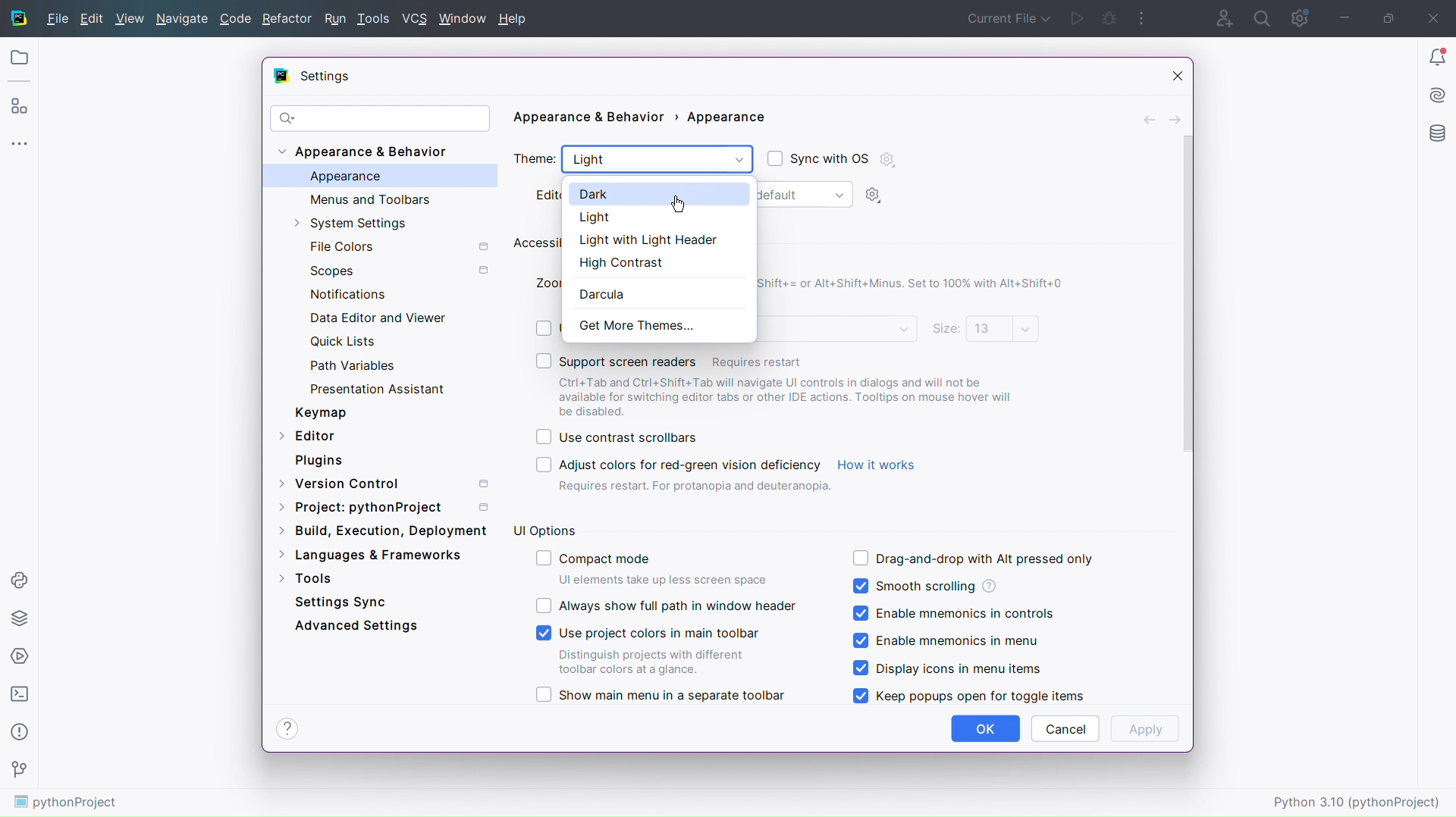  Describe the element at coordinates (19, 142) in the screenshot. I see `More` at that location.